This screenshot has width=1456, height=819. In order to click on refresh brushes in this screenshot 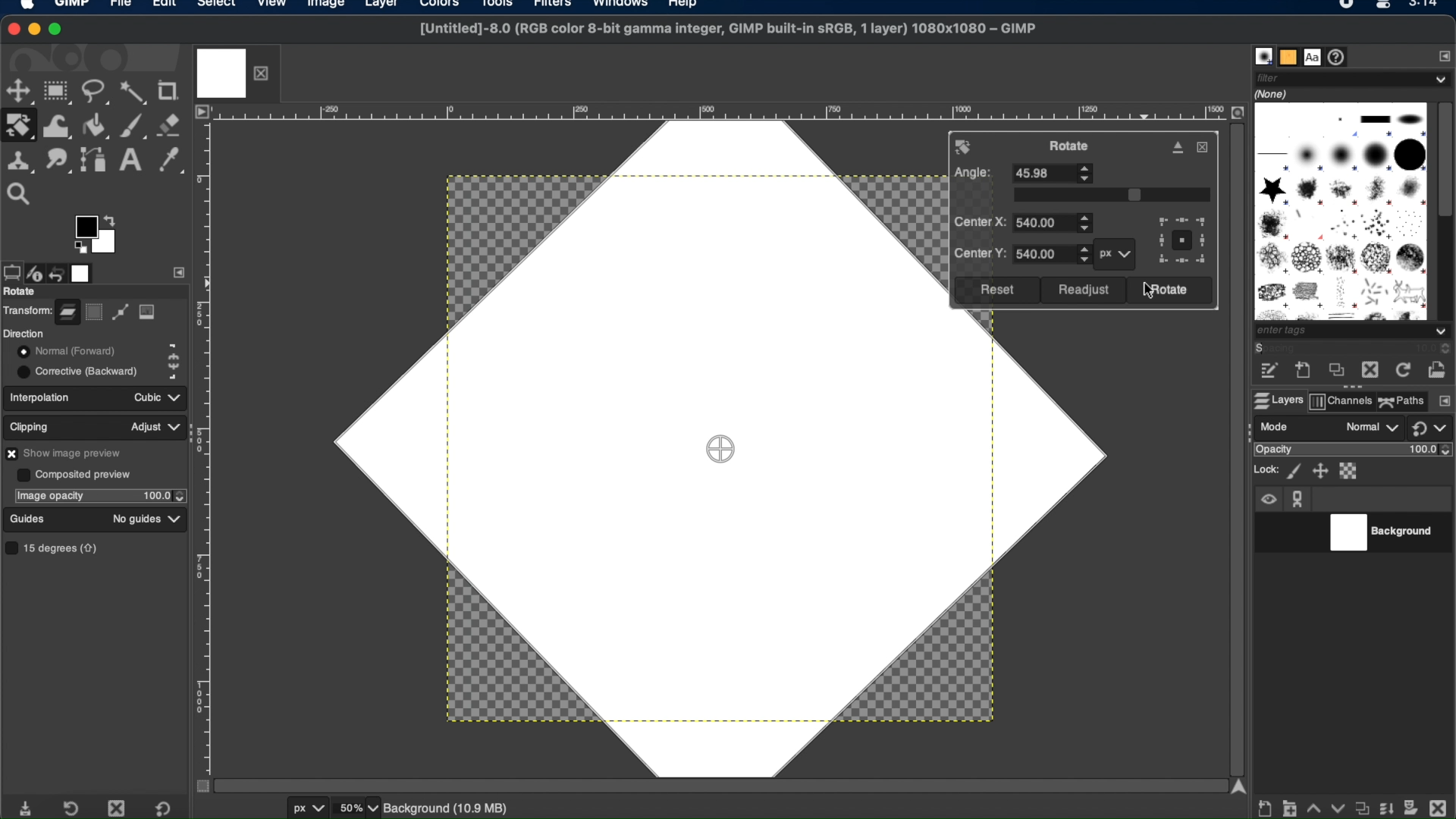, I will do `click(1401, 371)`.